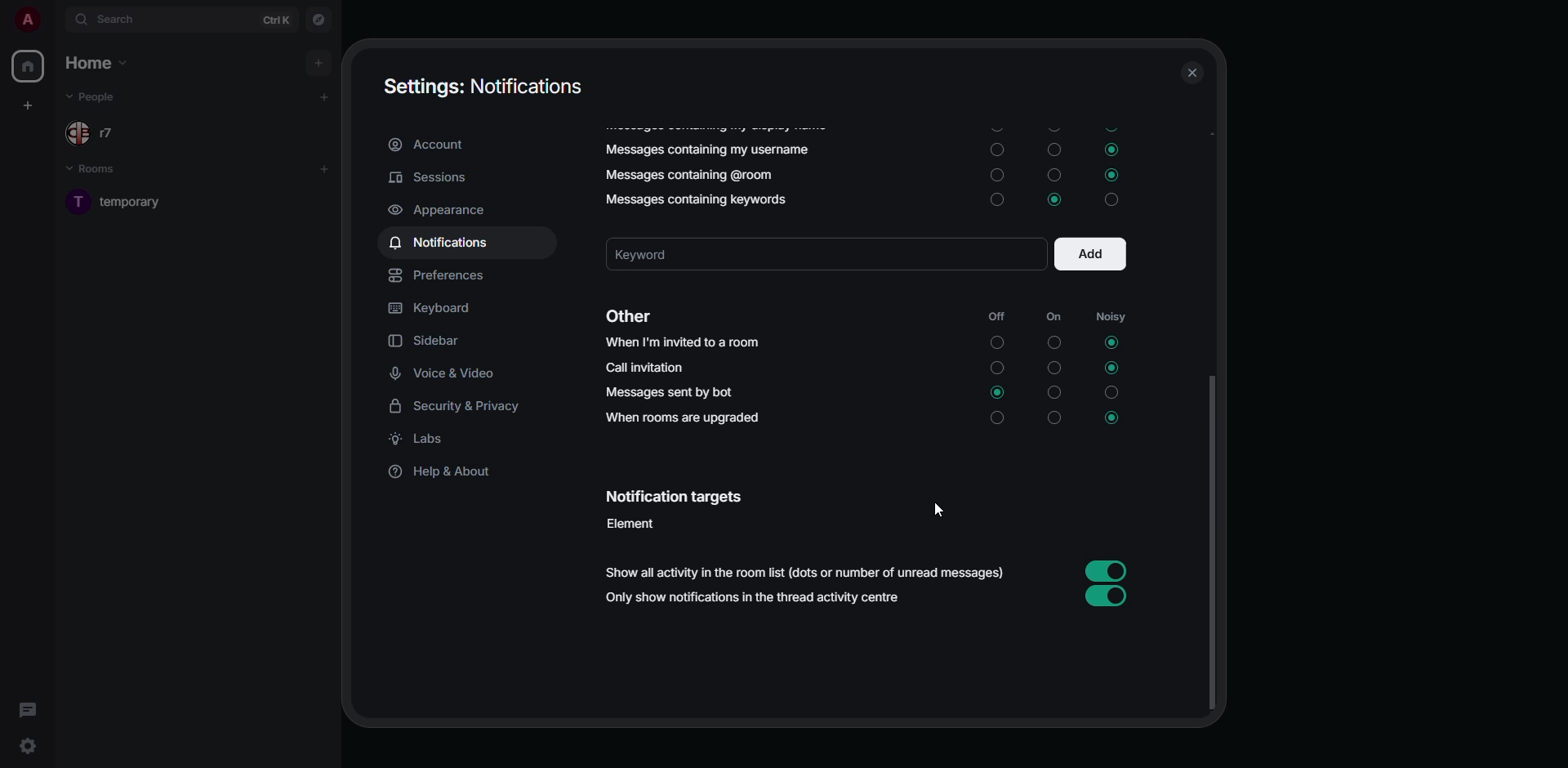 Image resolution: width=1568 pixels, height=768 pixels. What do you see at coordinates (652, 367) in the screenshot?
I see `call invitation` at bounding box center [652, 367].